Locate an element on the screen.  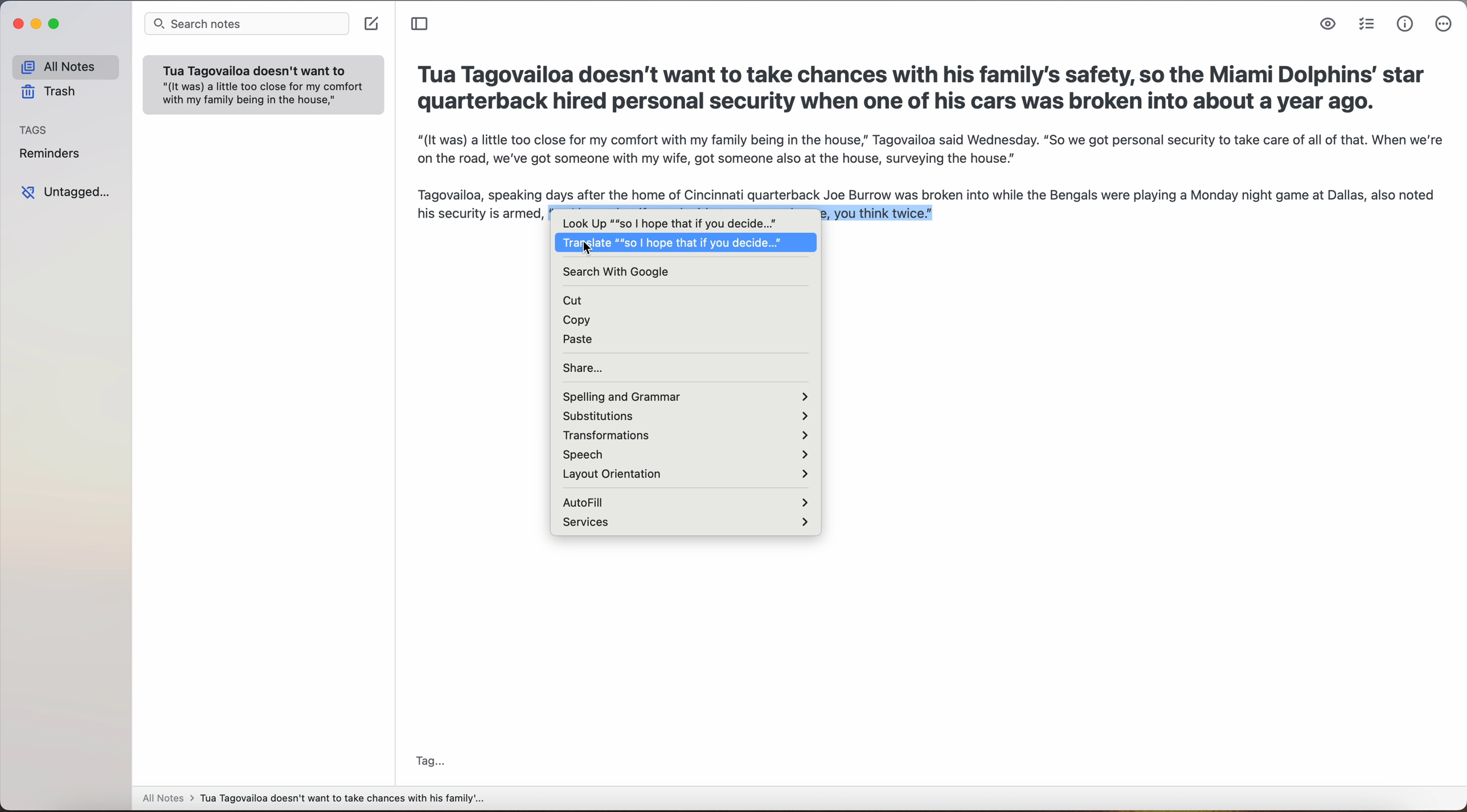
Translate "so I hope that if you decide" is located at coordinates (685, 243).